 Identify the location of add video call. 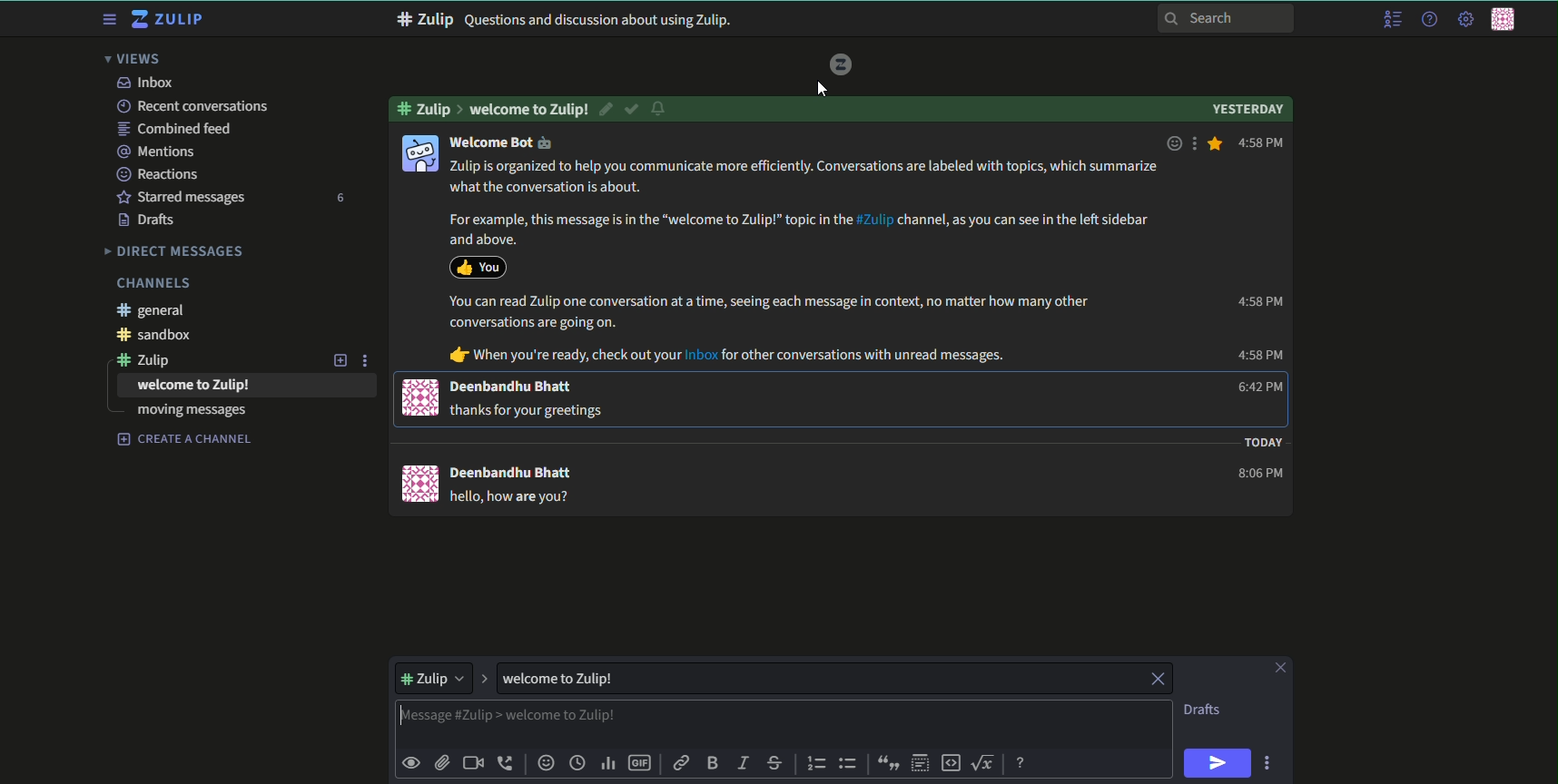
(473, 763).